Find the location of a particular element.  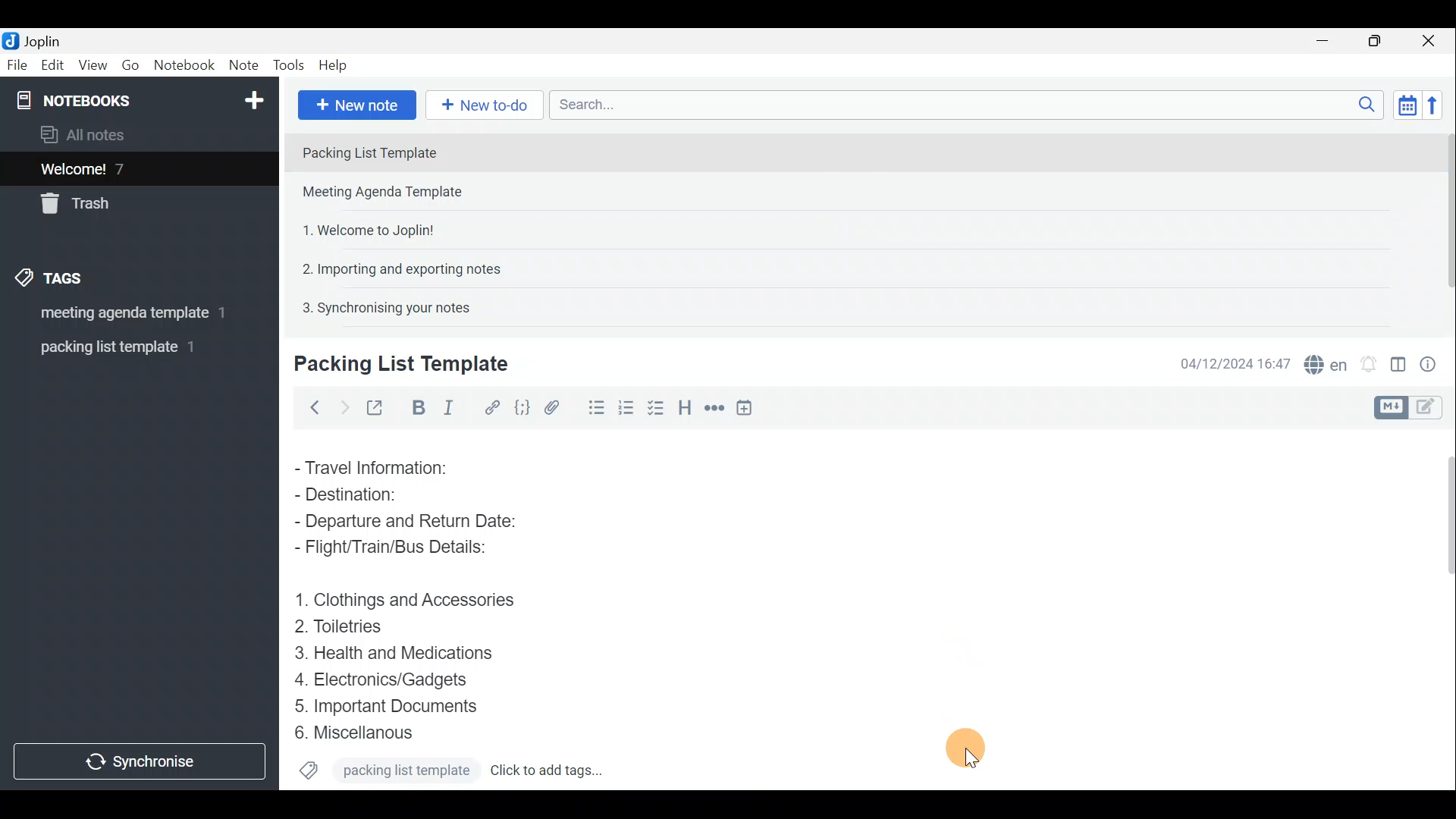

Toggle editors is located at coordinates (1393, 406).